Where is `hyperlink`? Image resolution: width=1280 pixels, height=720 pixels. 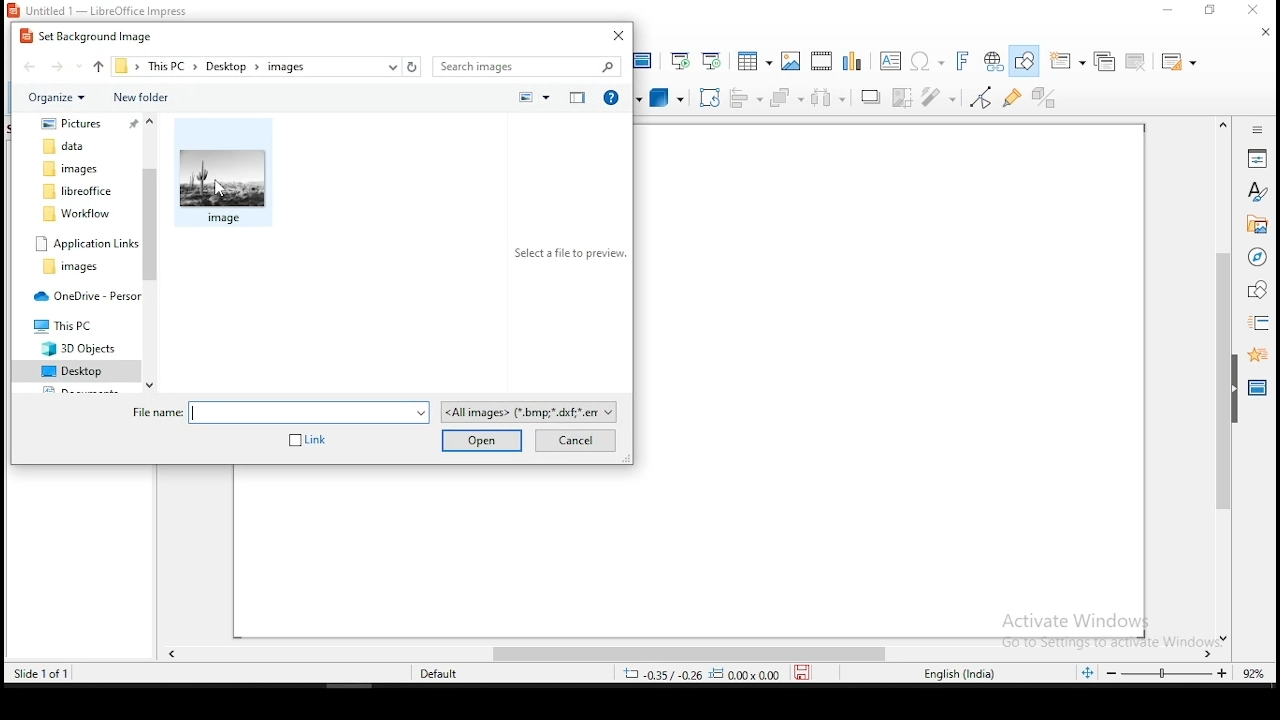
hyperlink is located at coordinates (993, 62).